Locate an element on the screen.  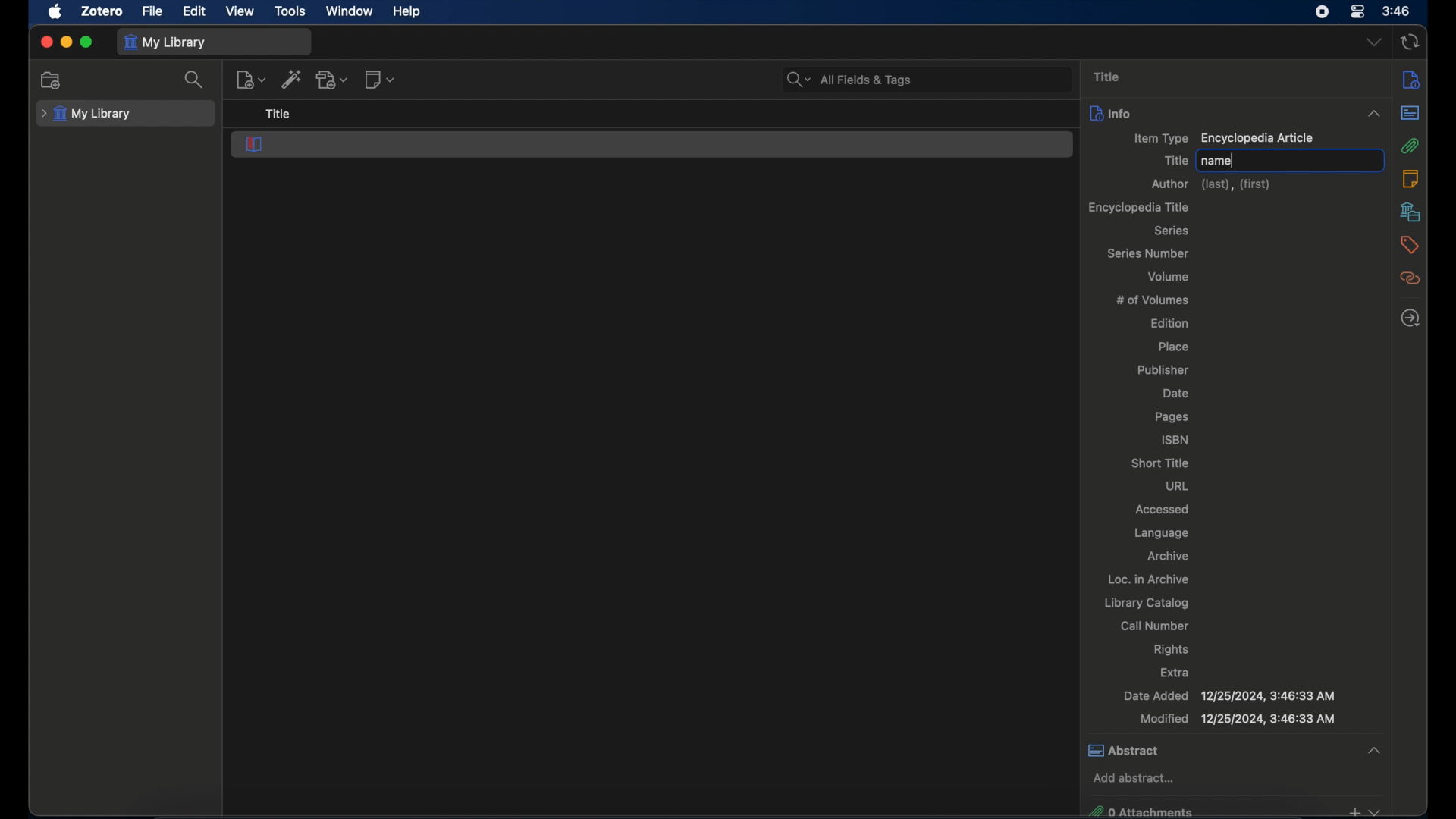
accessed is located at coordinates (1162, 509).